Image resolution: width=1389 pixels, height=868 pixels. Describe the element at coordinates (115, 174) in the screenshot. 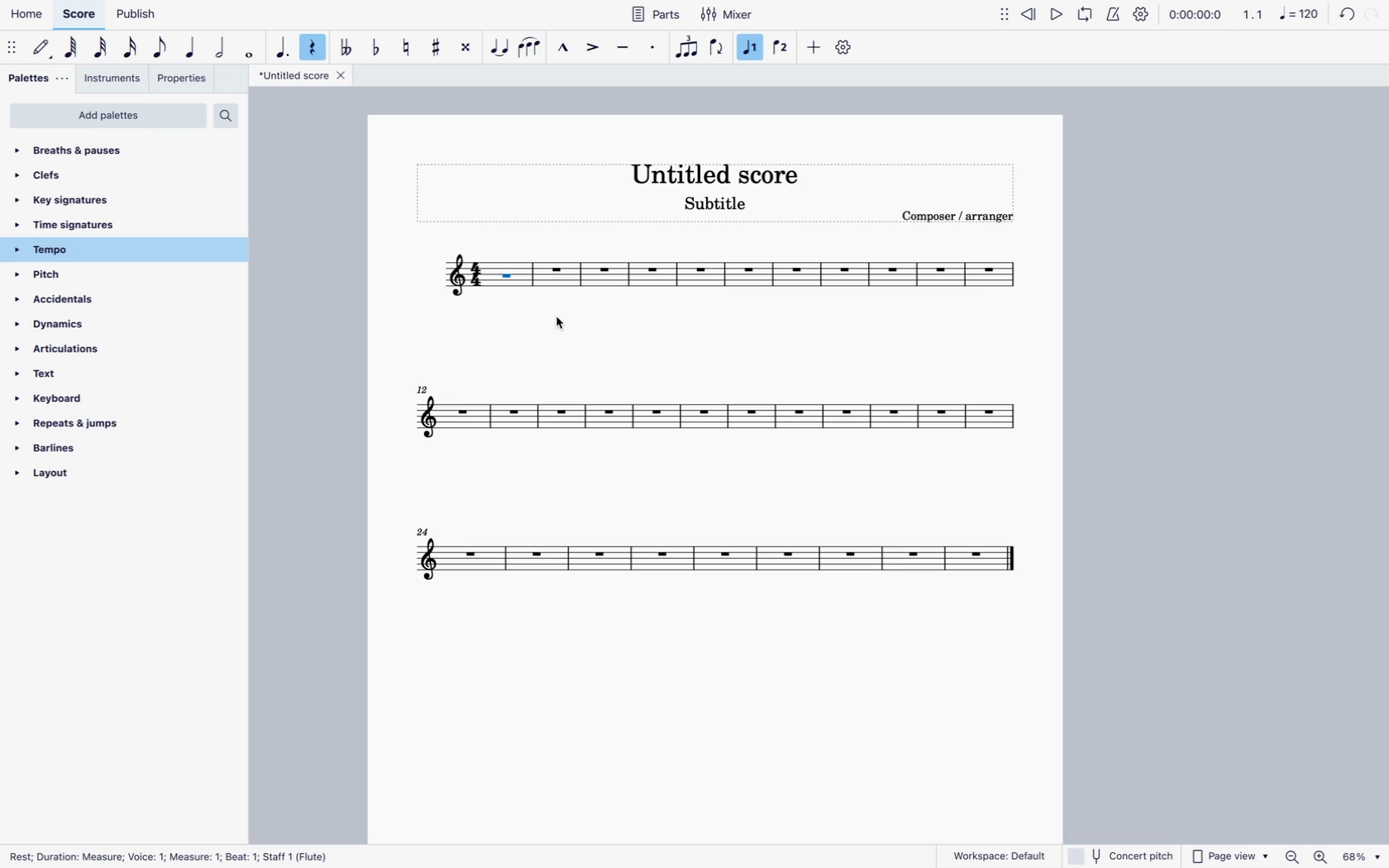

I see `clefs` at that location.